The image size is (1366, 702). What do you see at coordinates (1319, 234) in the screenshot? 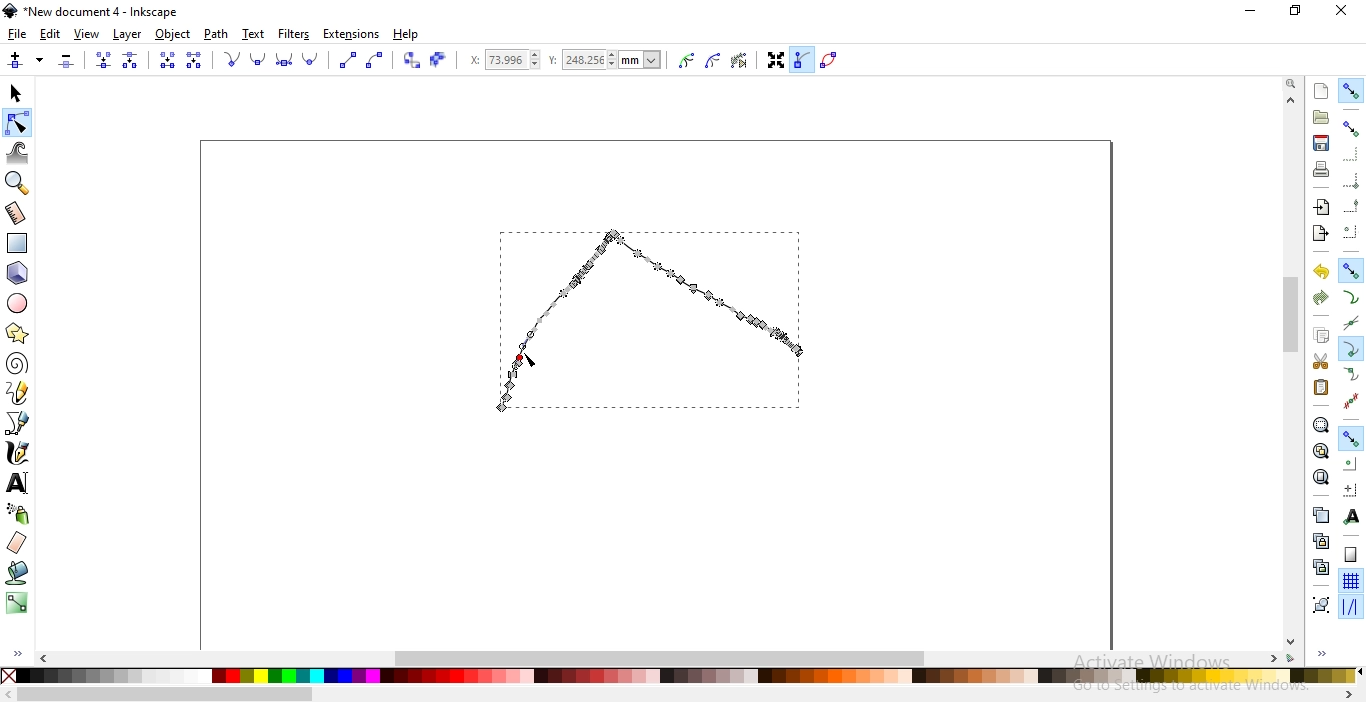
I see `export this document` at bounding box center [1319, 234].